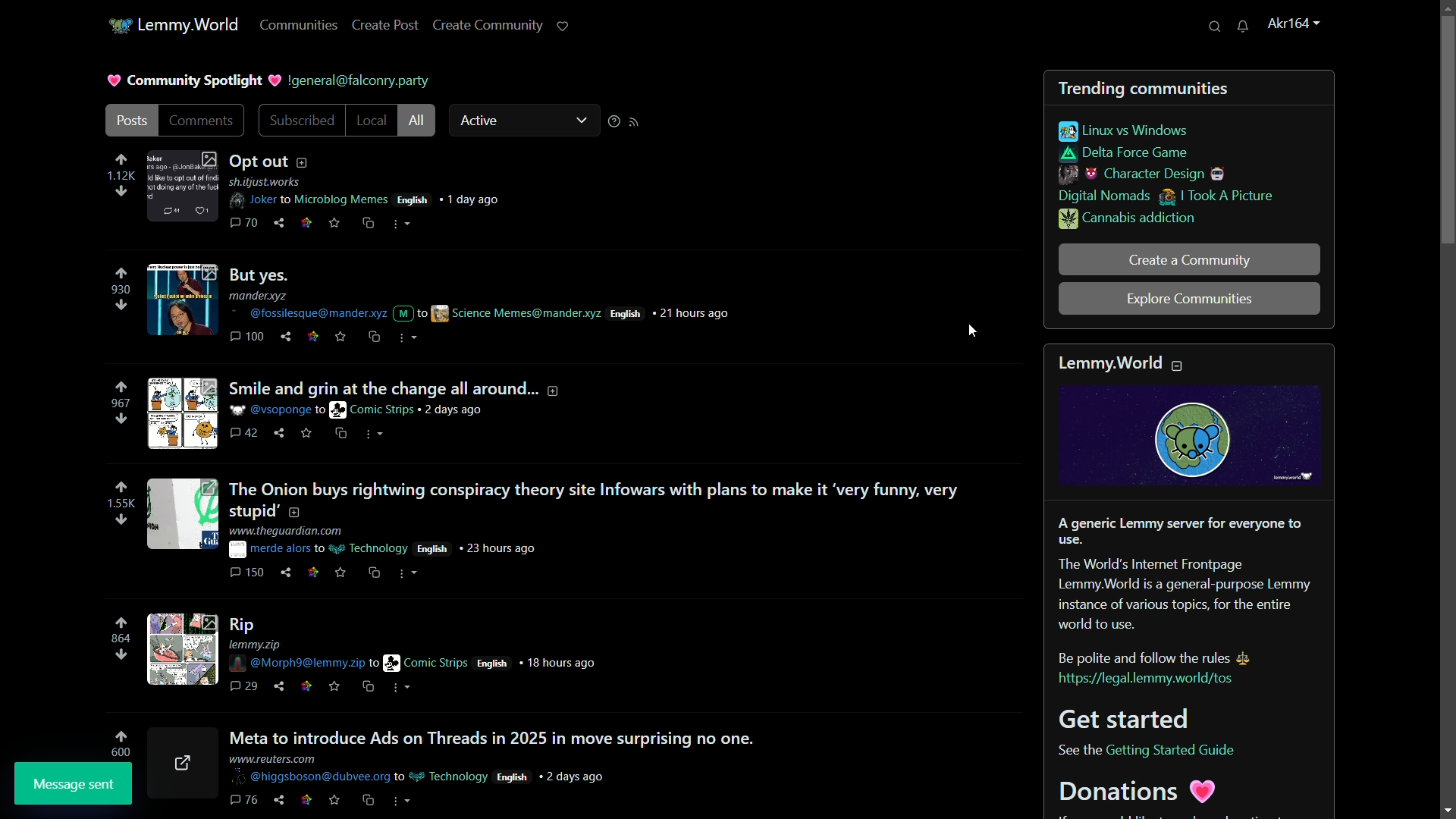 The height and width of the screenshot is (819, 1456). Describe the element at coordinates (335, 432) in the screenshot. I see `save` at that location.